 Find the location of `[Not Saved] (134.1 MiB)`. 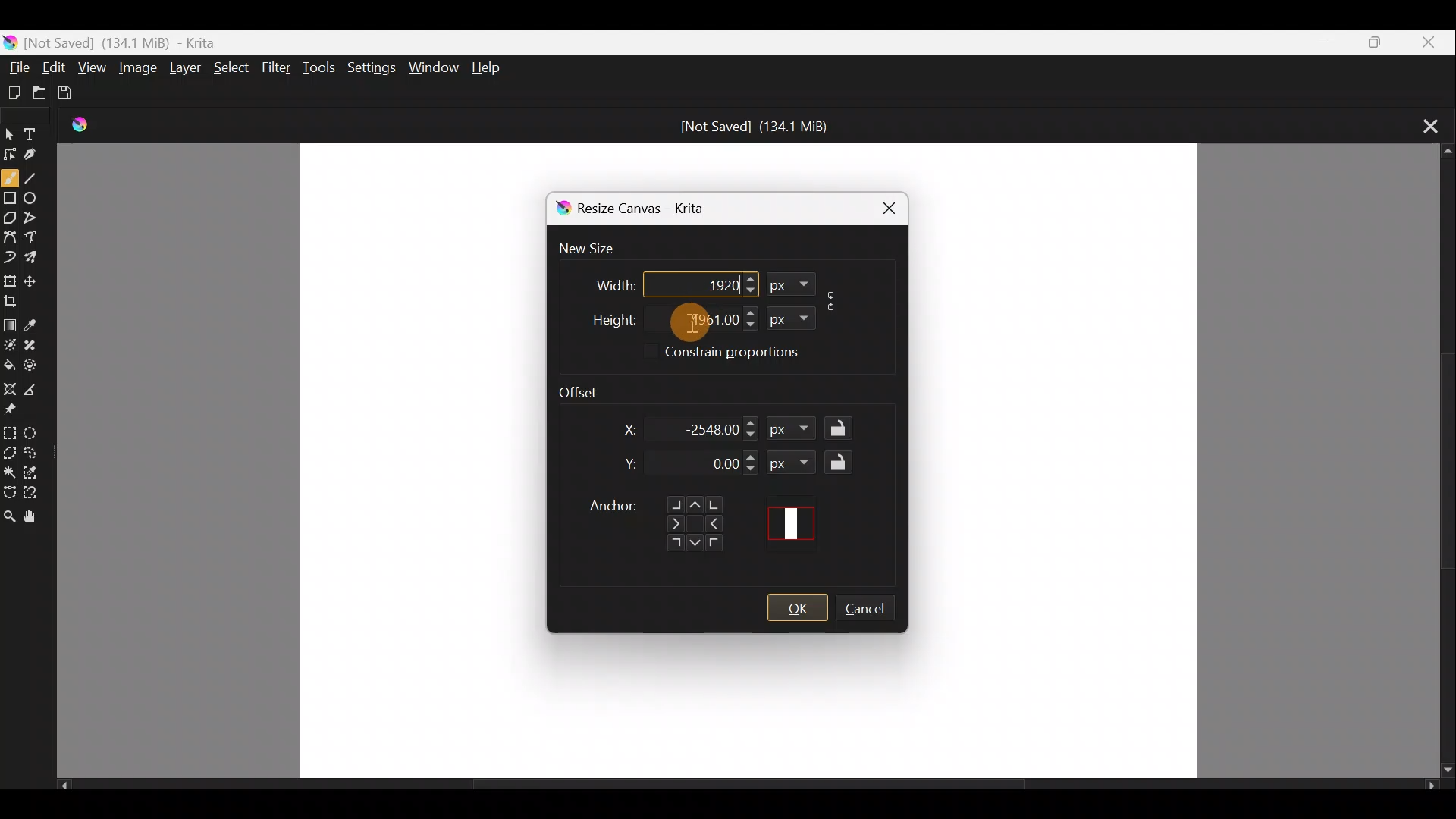

[Not Saved] (134.1 MiB) is located at coordinates (755, 127).